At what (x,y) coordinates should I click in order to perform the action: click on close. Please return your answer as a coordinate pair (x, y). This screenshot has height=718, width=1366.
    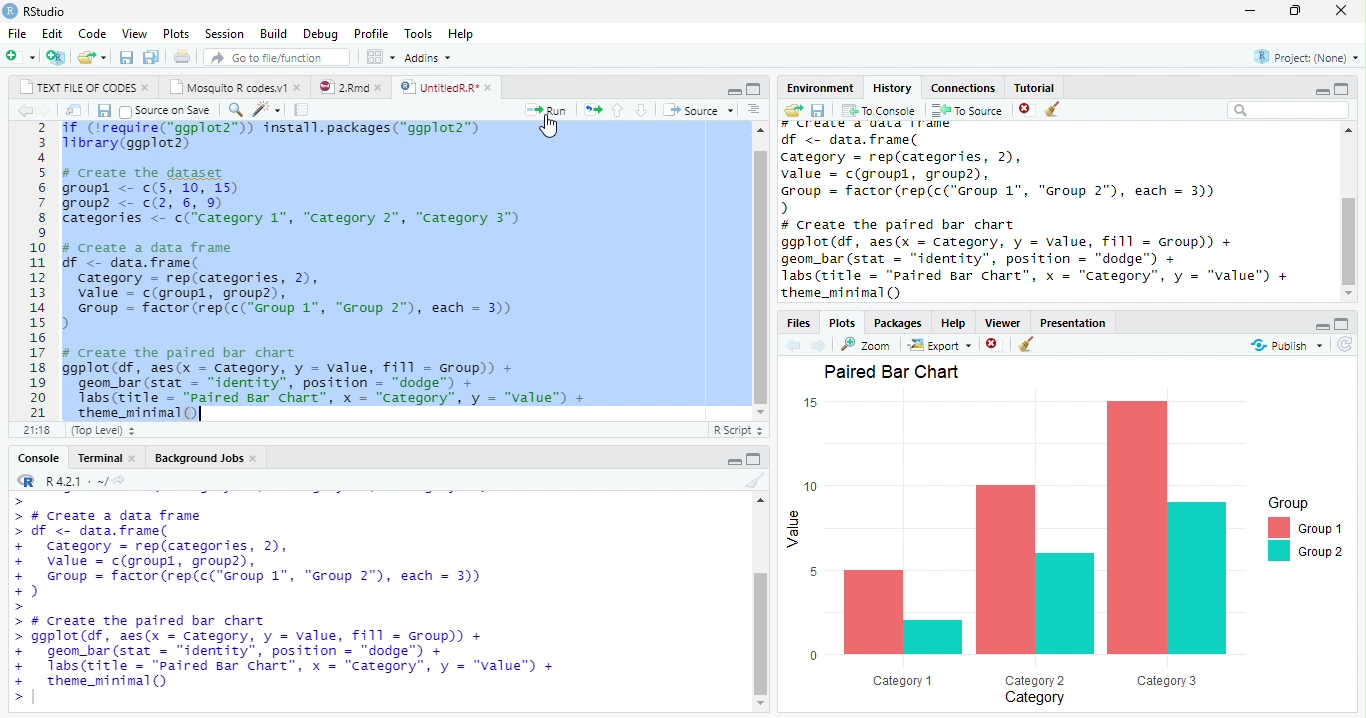
    Looking at the image, I should click on (380, 88).